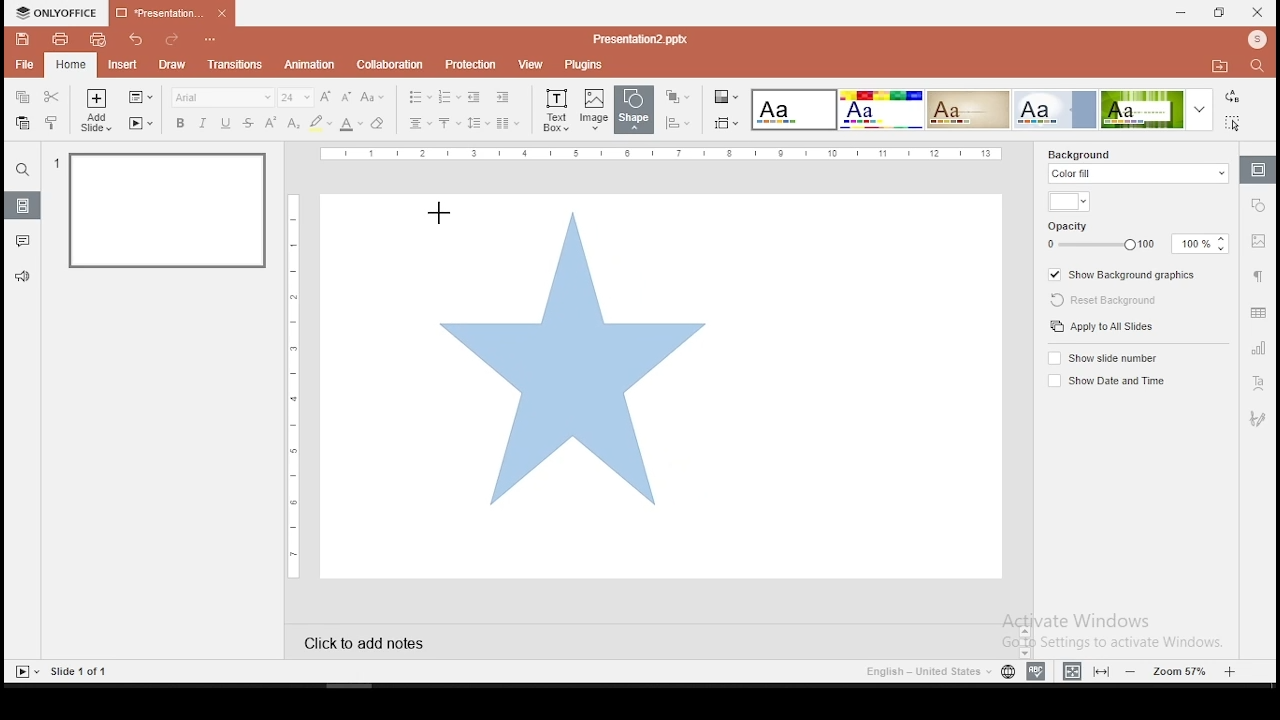 This screenshot has height=720, width=1280. What do you see at coordinates (269, 121) in the screenshot?
I see `superscript` at bounding box center [269, 121].